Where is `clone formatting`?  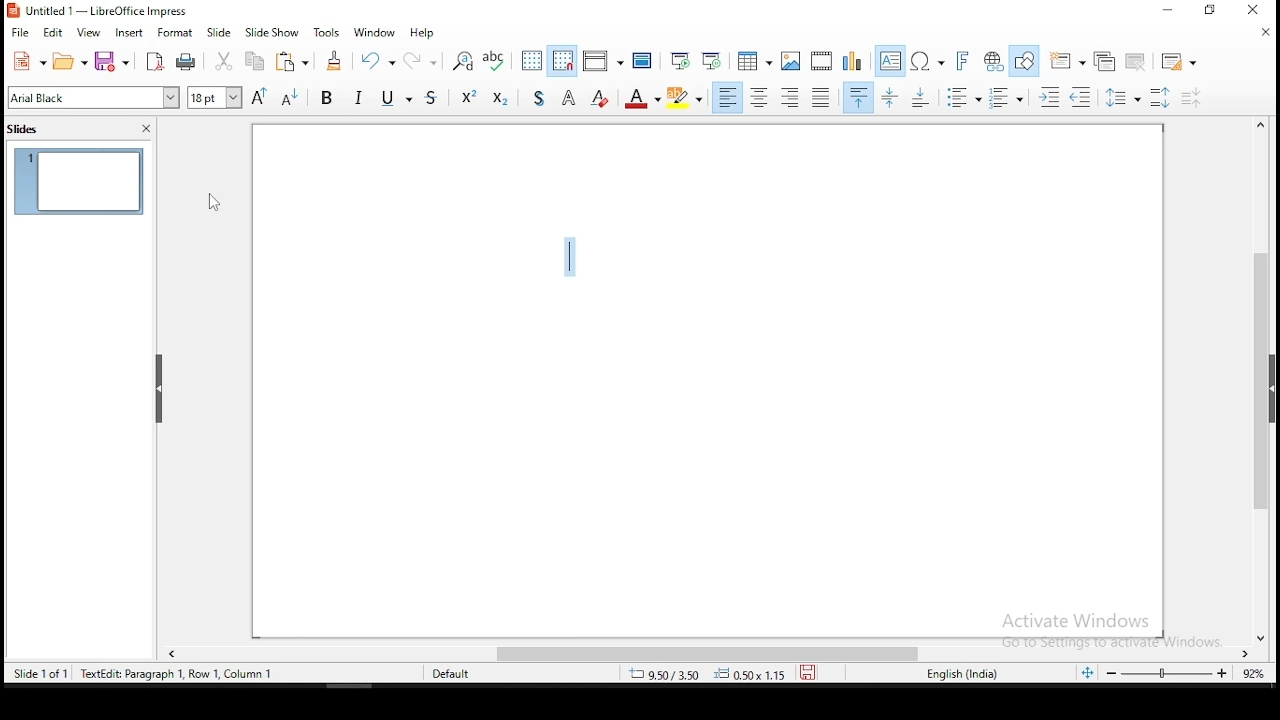 clone formatting is located at coordinates (336, 60).